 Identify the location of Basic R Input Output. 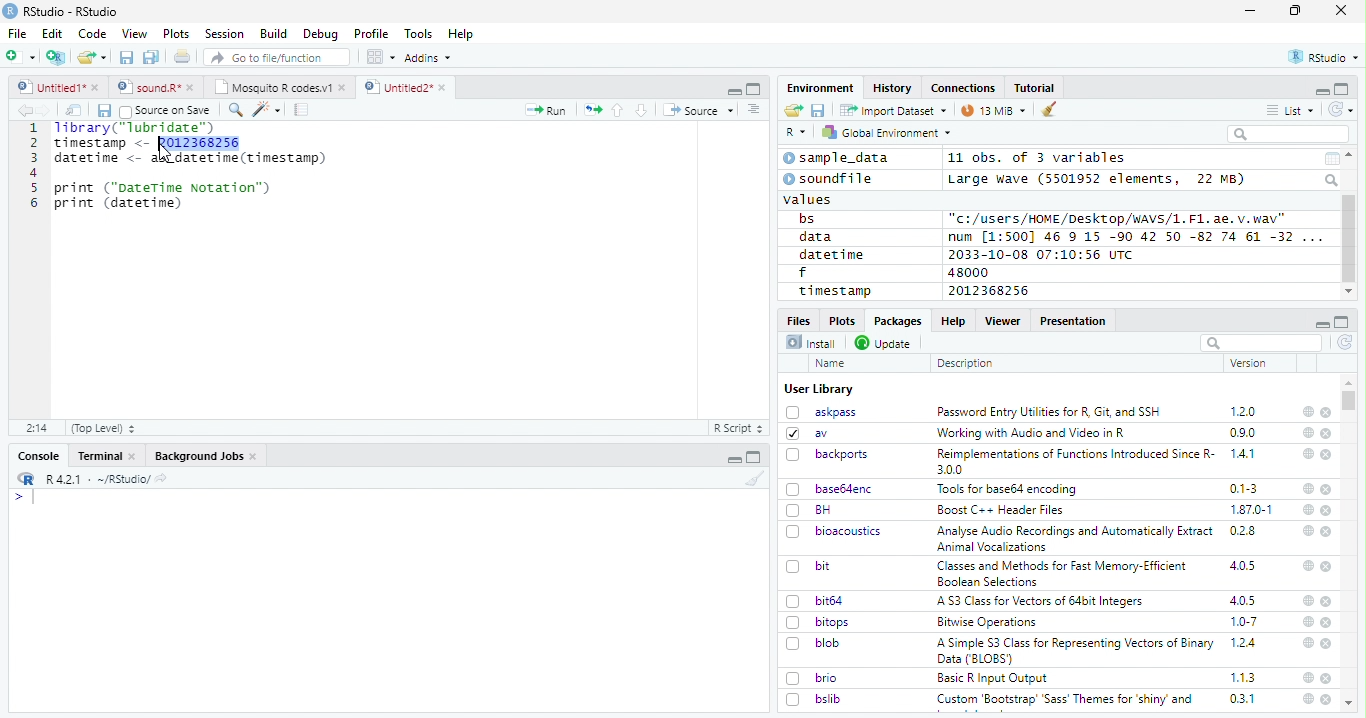
(995, 678).